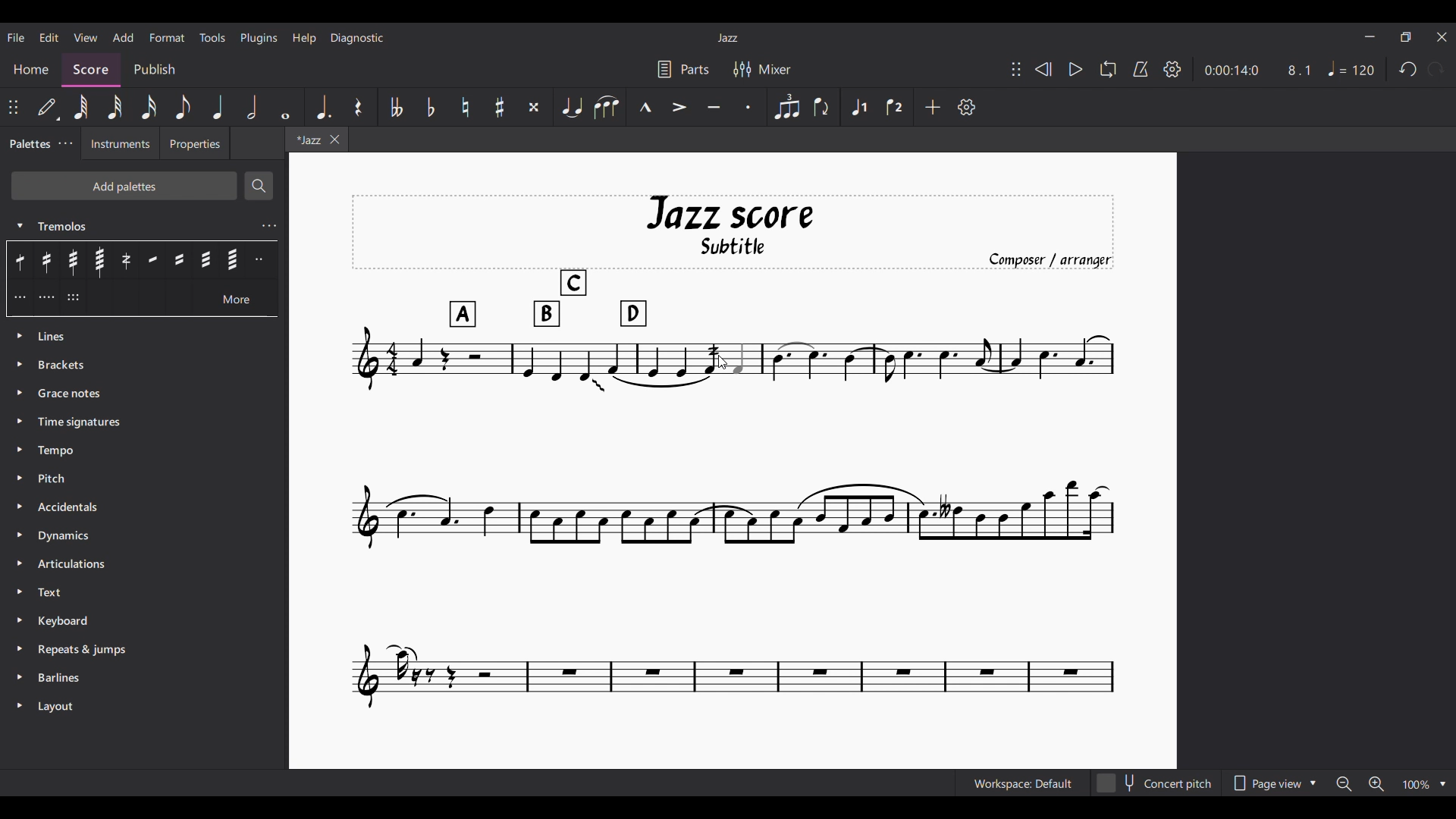 The image size is (1456, 819). What do you see at coordinates (1351, 68) in the screenshot?
I see `Tempo` at bounding box center [1351, 68].